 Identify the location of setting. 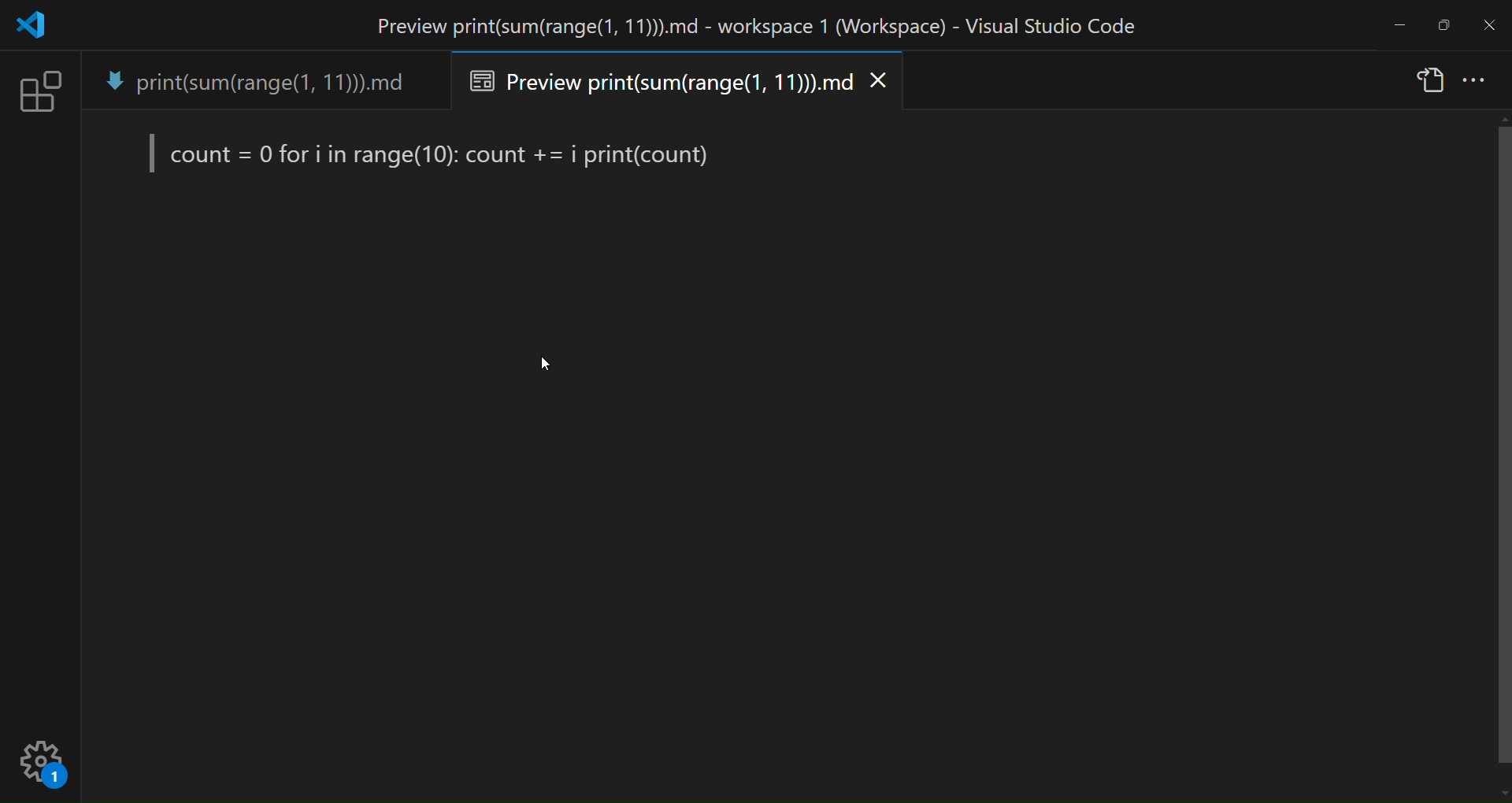
(44, 765).